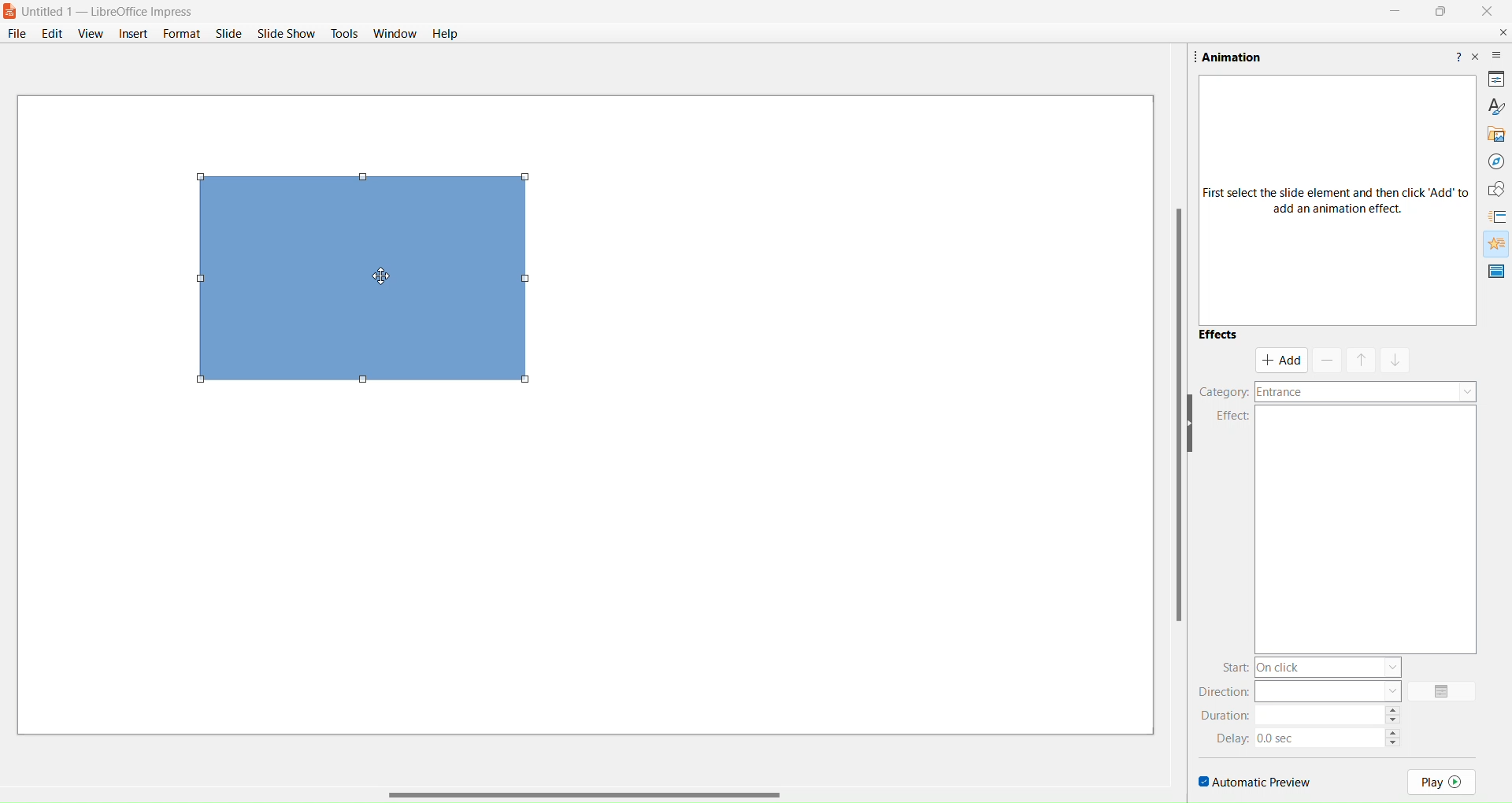 Image resolution: width=1512 pixels, height=803 pixels. Describe the element at coordinates (133, 32) in the screenshot. I see `insert` at that location.